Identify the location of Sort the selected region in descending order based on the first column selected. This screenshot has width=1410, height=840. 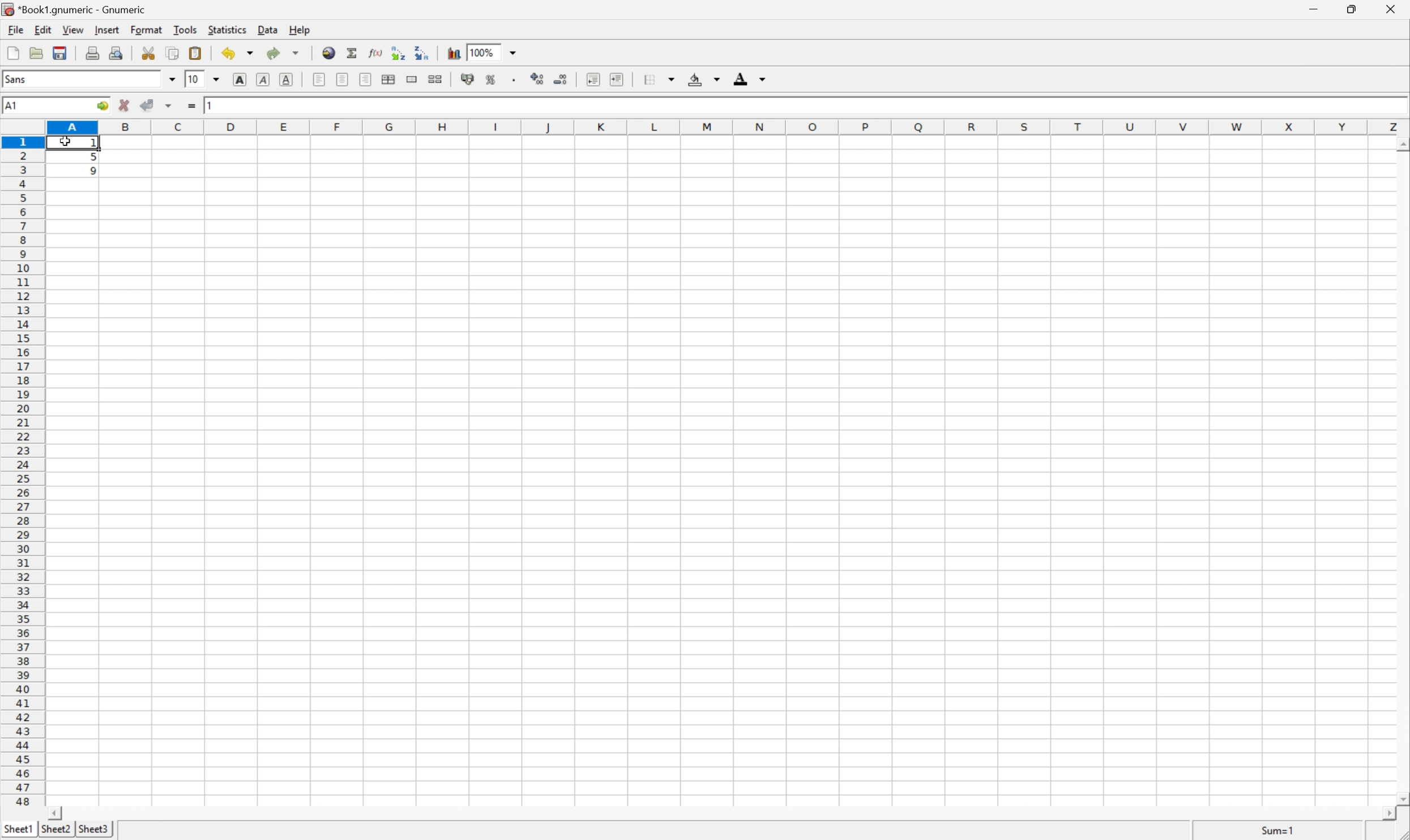
(422, 52).